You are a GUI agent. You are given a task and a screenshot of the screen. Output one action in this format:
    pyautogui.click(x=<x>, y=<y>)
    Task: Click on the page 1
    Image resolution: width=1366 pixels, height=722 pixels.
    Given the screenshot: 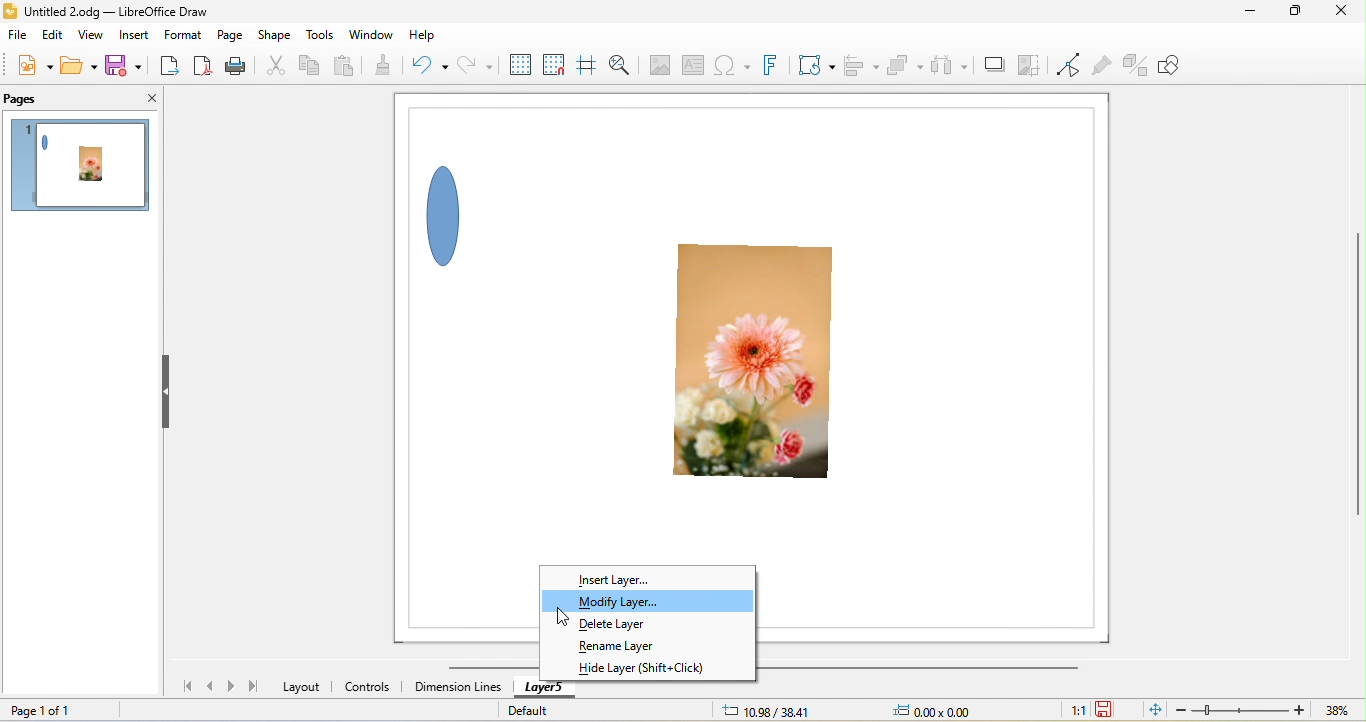 What is the action you would take?
    pyautogui.click(x=84, y=169)
    